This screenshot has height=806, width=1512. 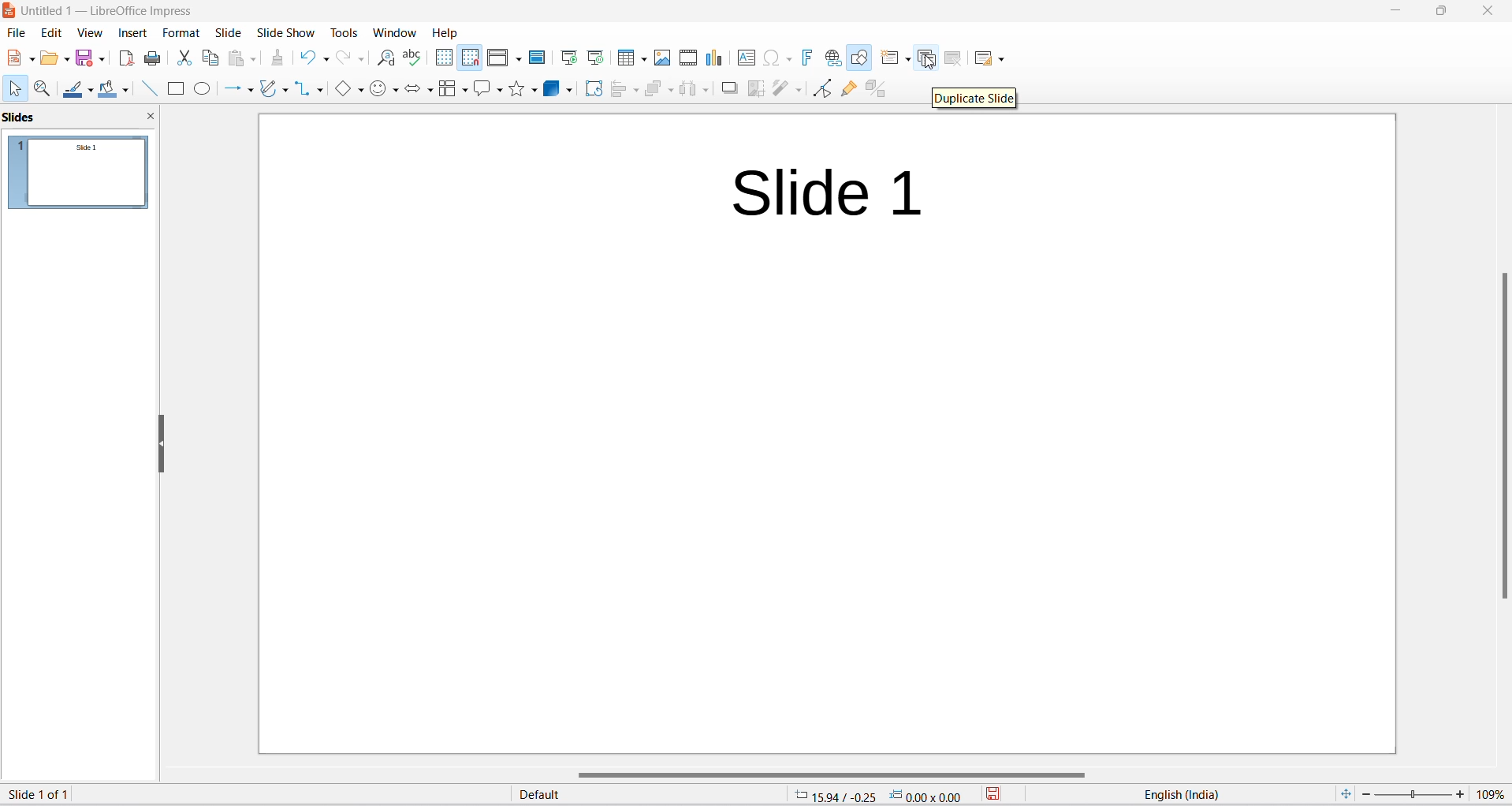 I want to click on cursor placement, so click(x=875, y=795).